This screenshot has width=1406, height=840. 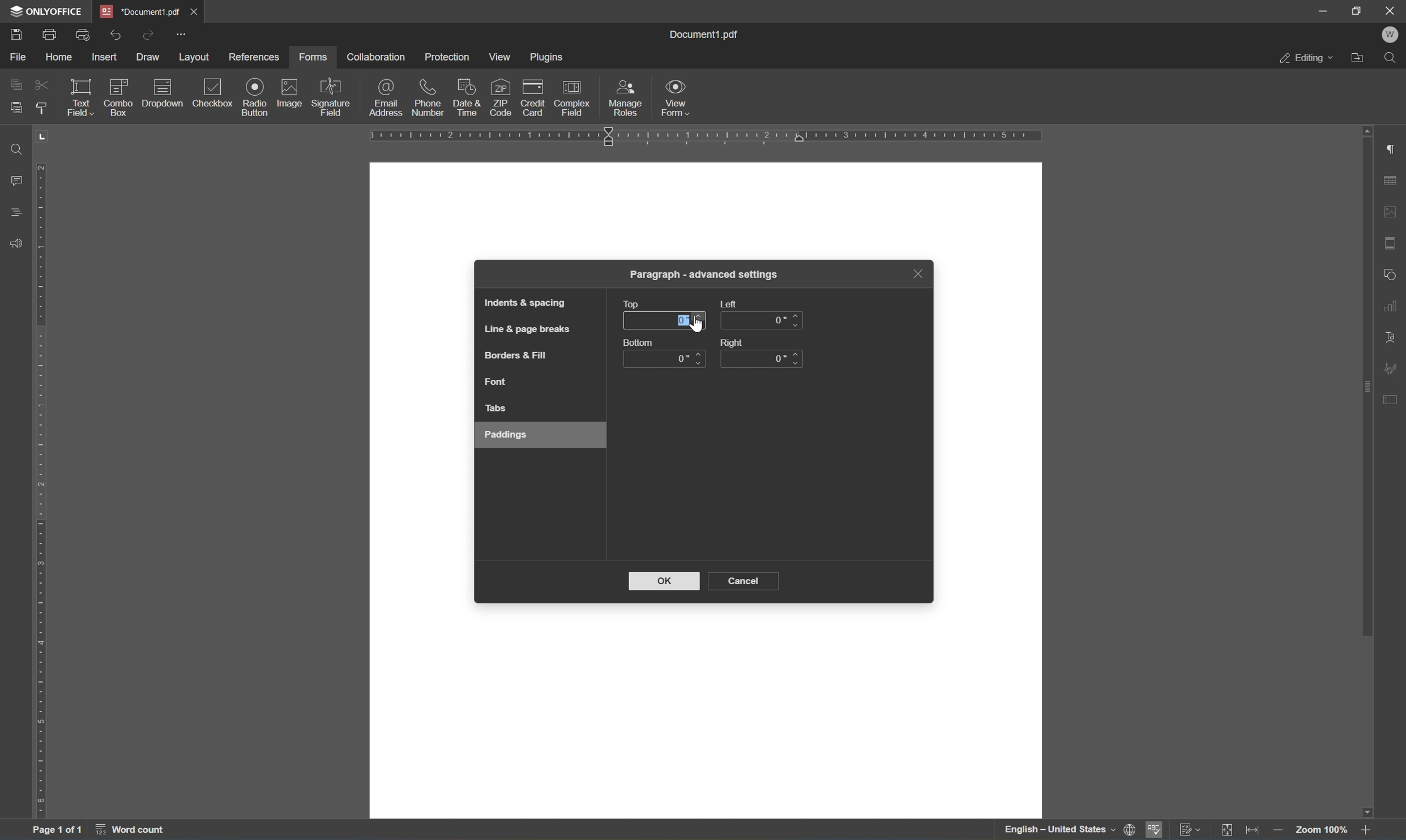 What do you see at coordinates (1358, 11) in the screenshot?
I see `restore down` at bounding box center [1358, 11].